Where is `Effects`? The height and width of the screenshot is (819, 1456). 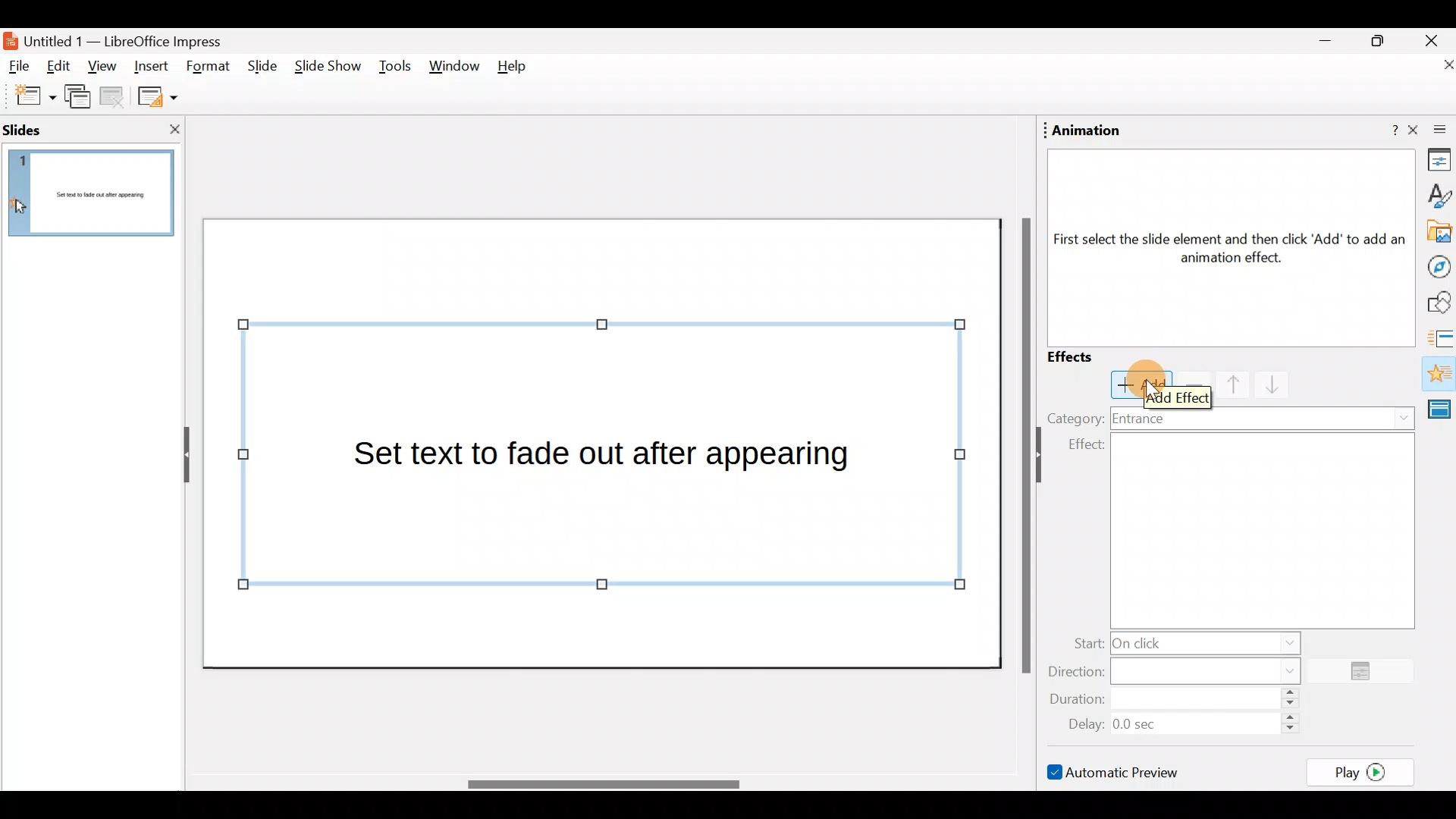
Effects is located at coordinates (1084, 356).